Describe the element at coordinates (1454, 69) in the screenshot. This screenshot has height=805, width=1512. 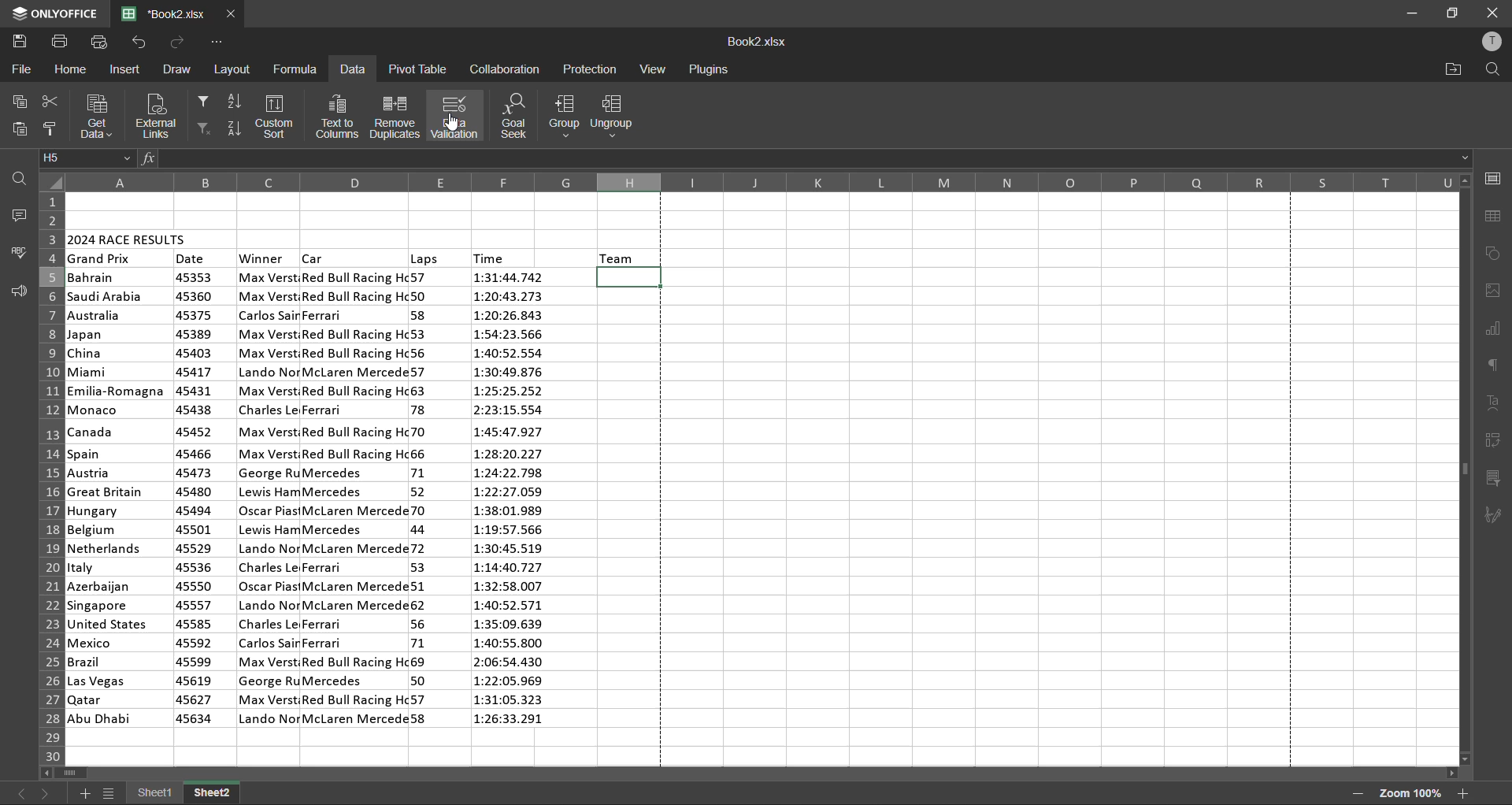
I see `open location` at that location.